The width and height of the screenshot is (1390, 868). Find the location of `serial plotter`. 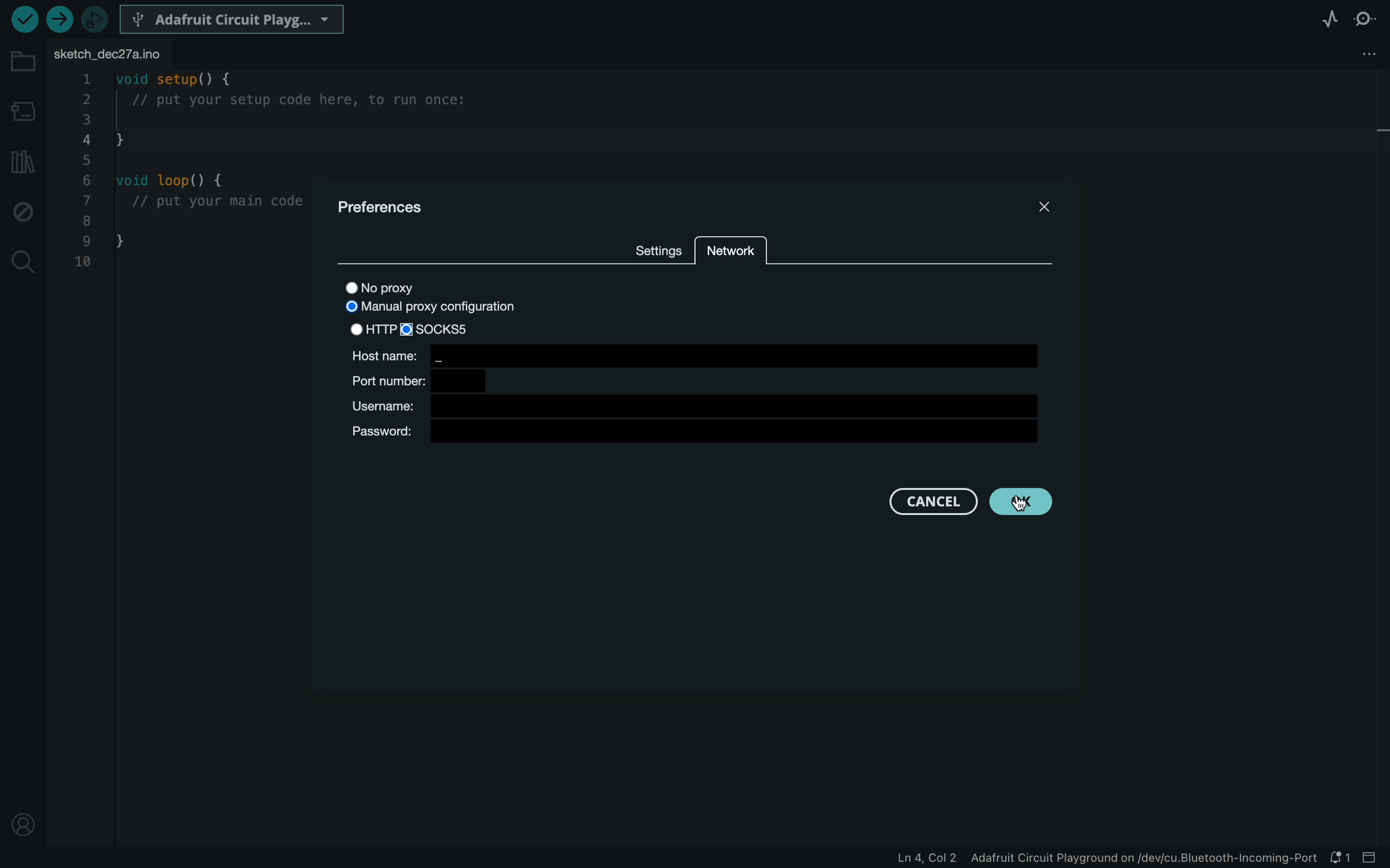

serial plotter is located at coordinates (1330, 18).